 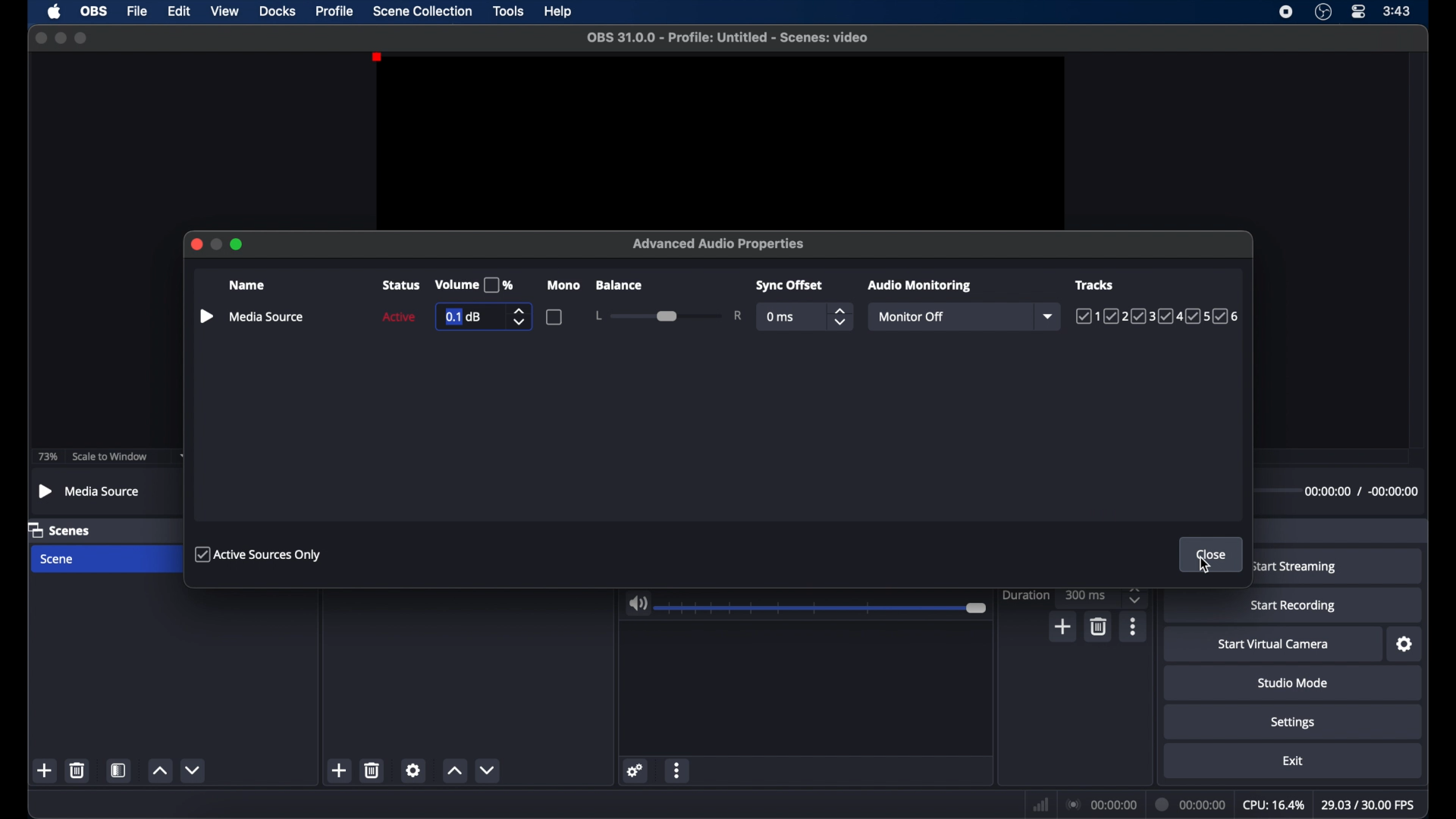 What do you see at coordinates (94, 11) in the screenshot?
I see `obs` at bounding box center [94, 11].